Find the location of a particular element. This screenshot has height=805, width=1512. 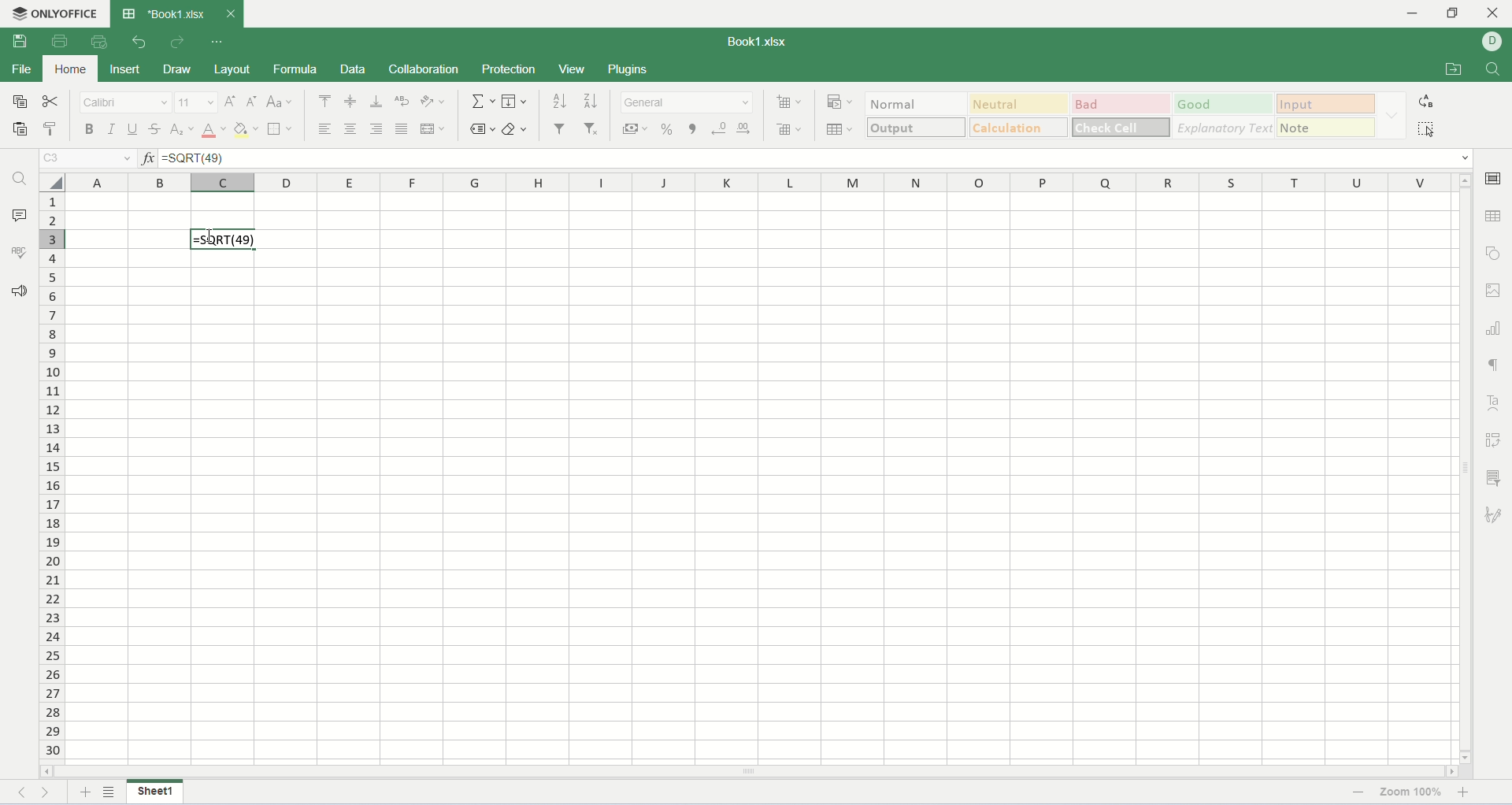

filter is located at coordinates (561, 128).